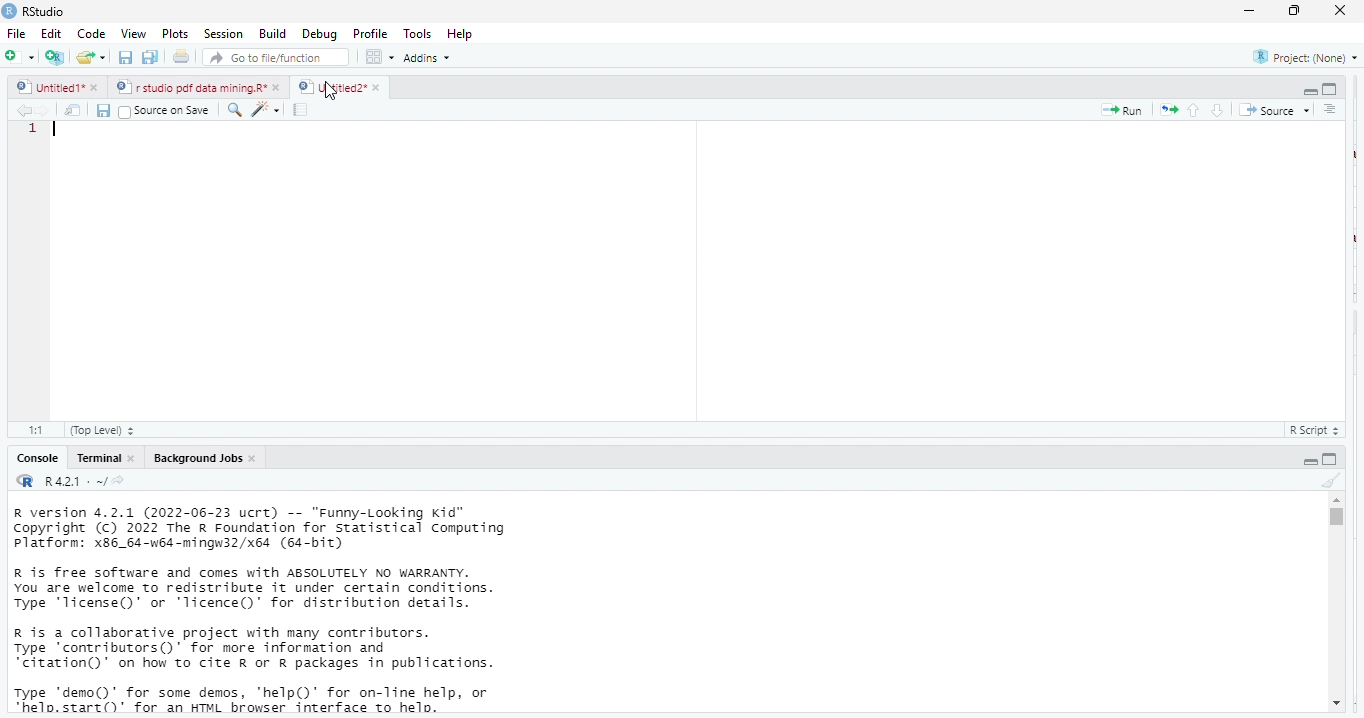 The height and width of the screenshot is (718, 1364). Describe the element at coordinates (108, 430) in the screenshot. I see `top level` at that location.